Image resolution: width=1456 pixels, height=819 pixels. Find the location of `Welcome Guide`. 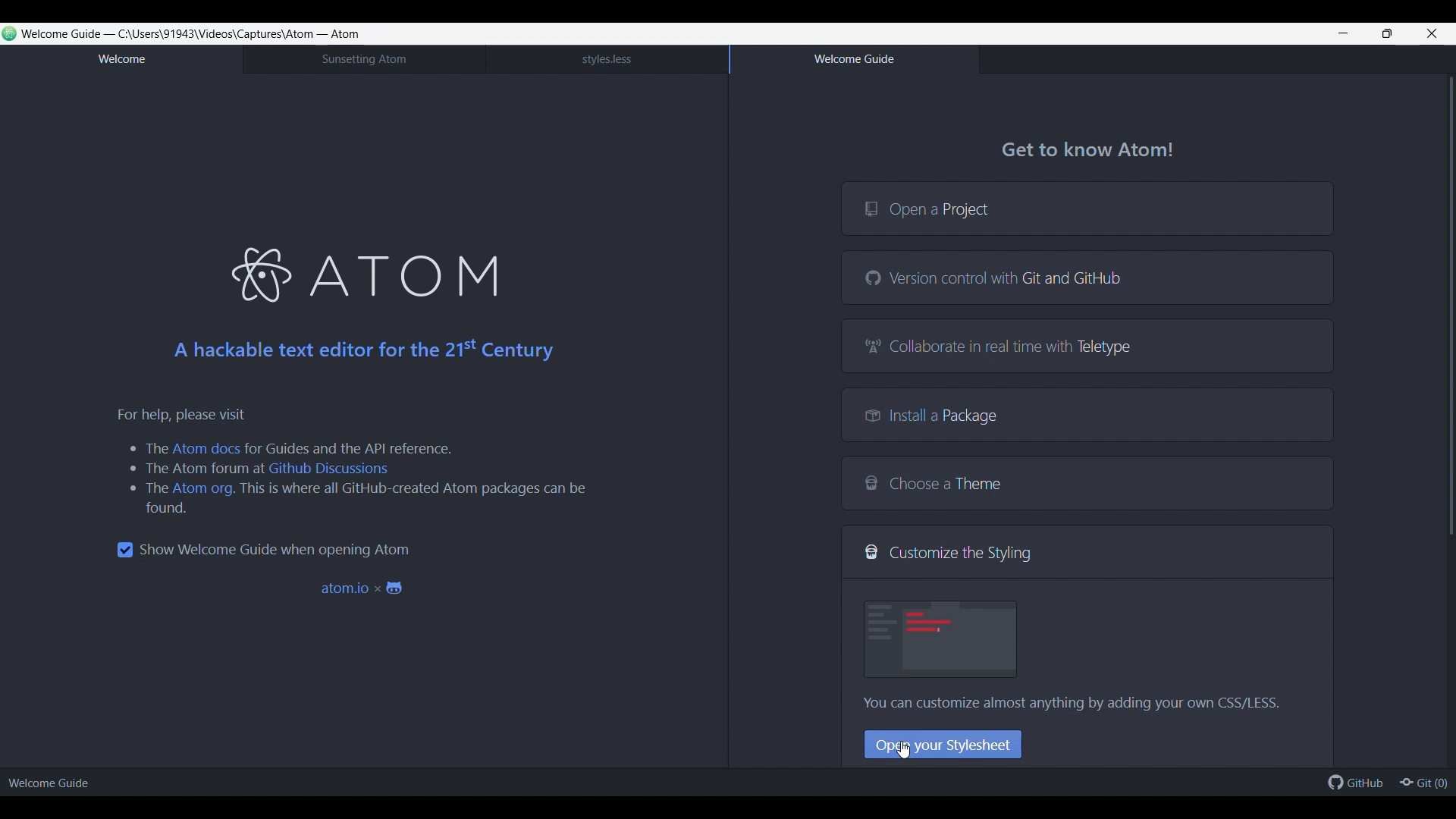

Welcome Guide is located at coordinates (56, 782).